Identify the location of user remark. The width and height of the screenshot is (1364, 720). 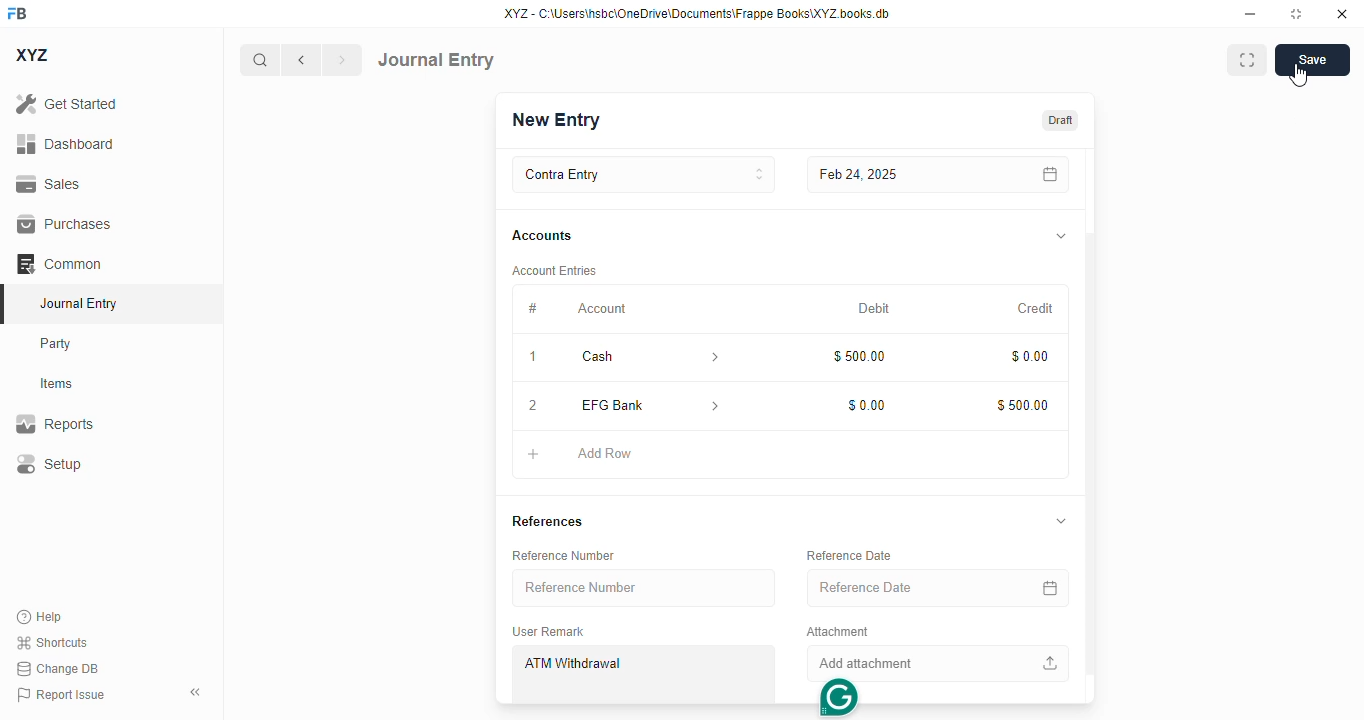
(550, 632).